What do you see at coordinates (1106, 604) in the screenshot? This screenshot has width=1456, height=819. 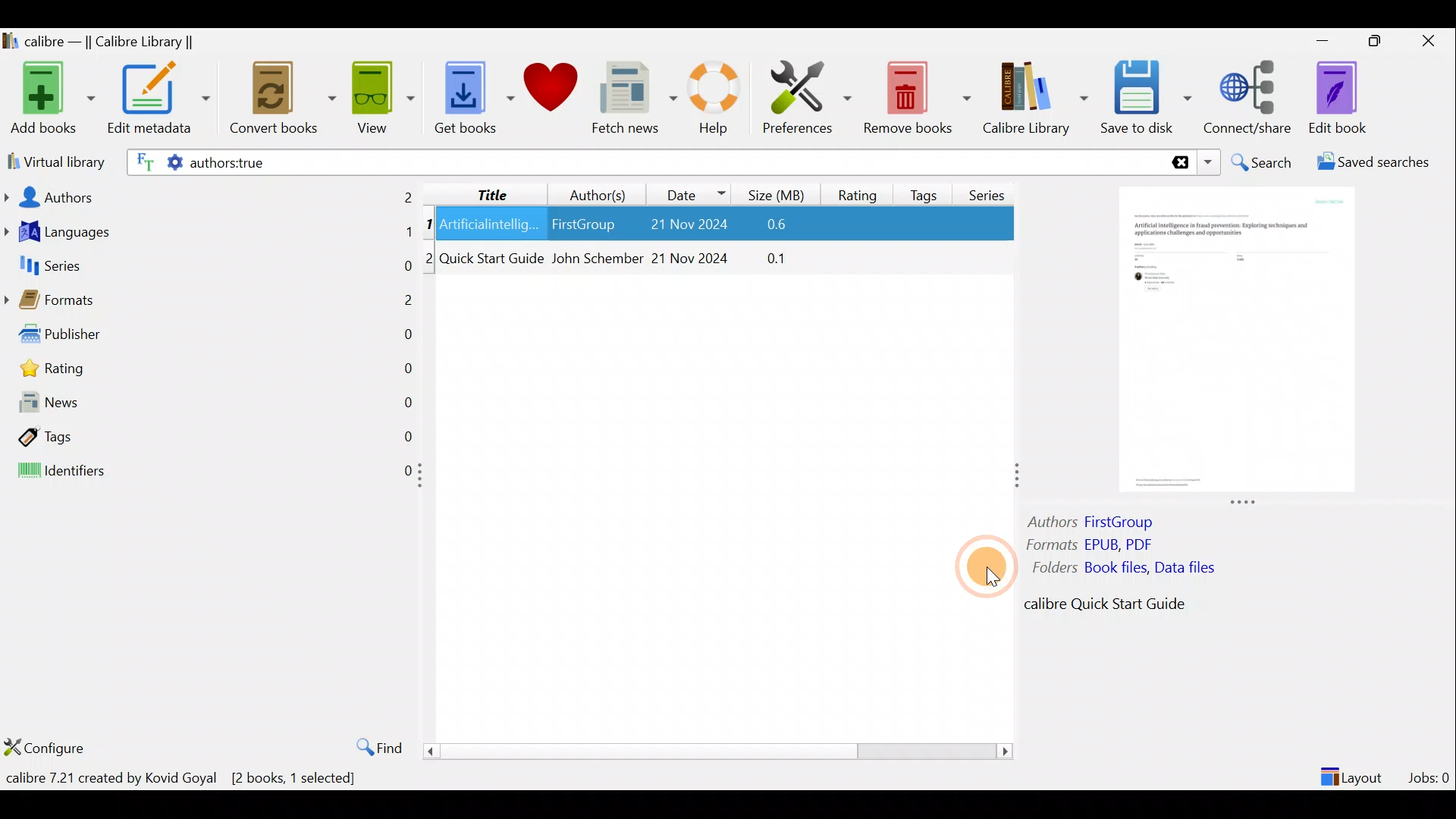 I see `calibre Quick Start Guide` at bounding box center [1106, 604].